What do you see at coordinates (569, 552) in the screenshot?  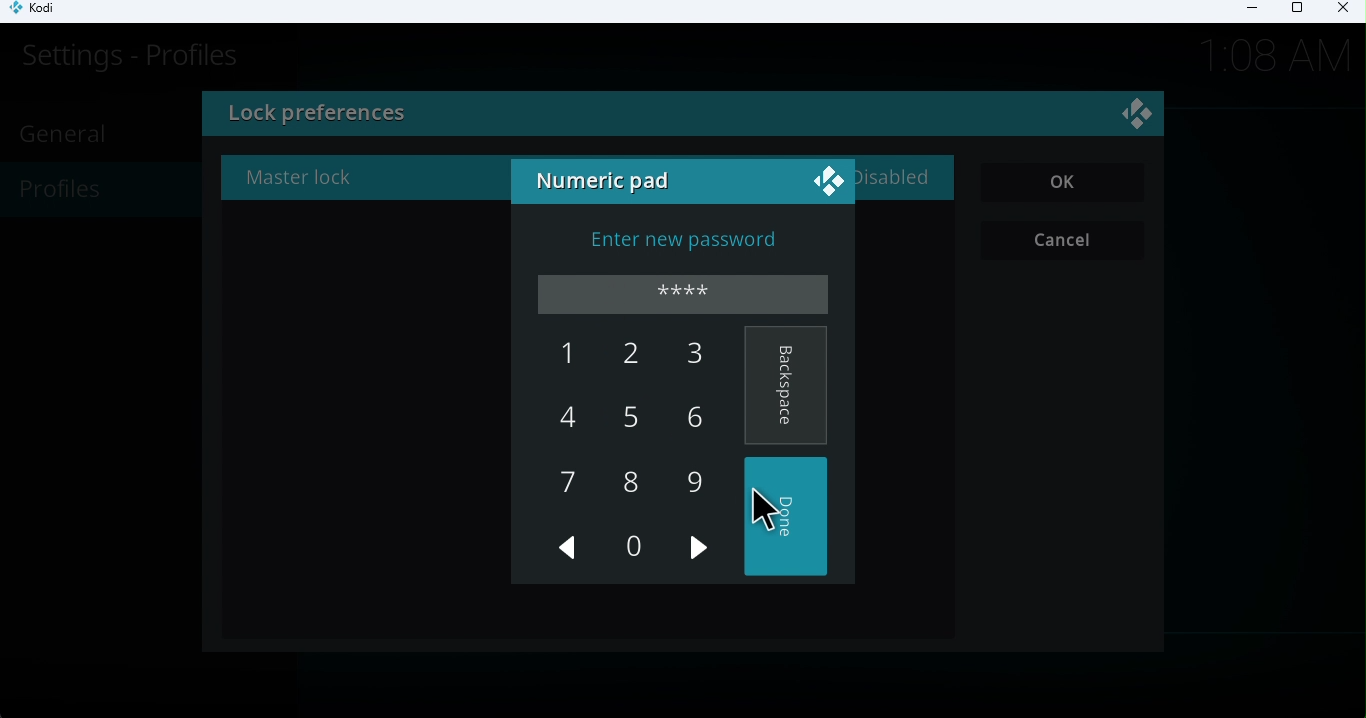 I see `Previous` at bounding box center [569, 552].